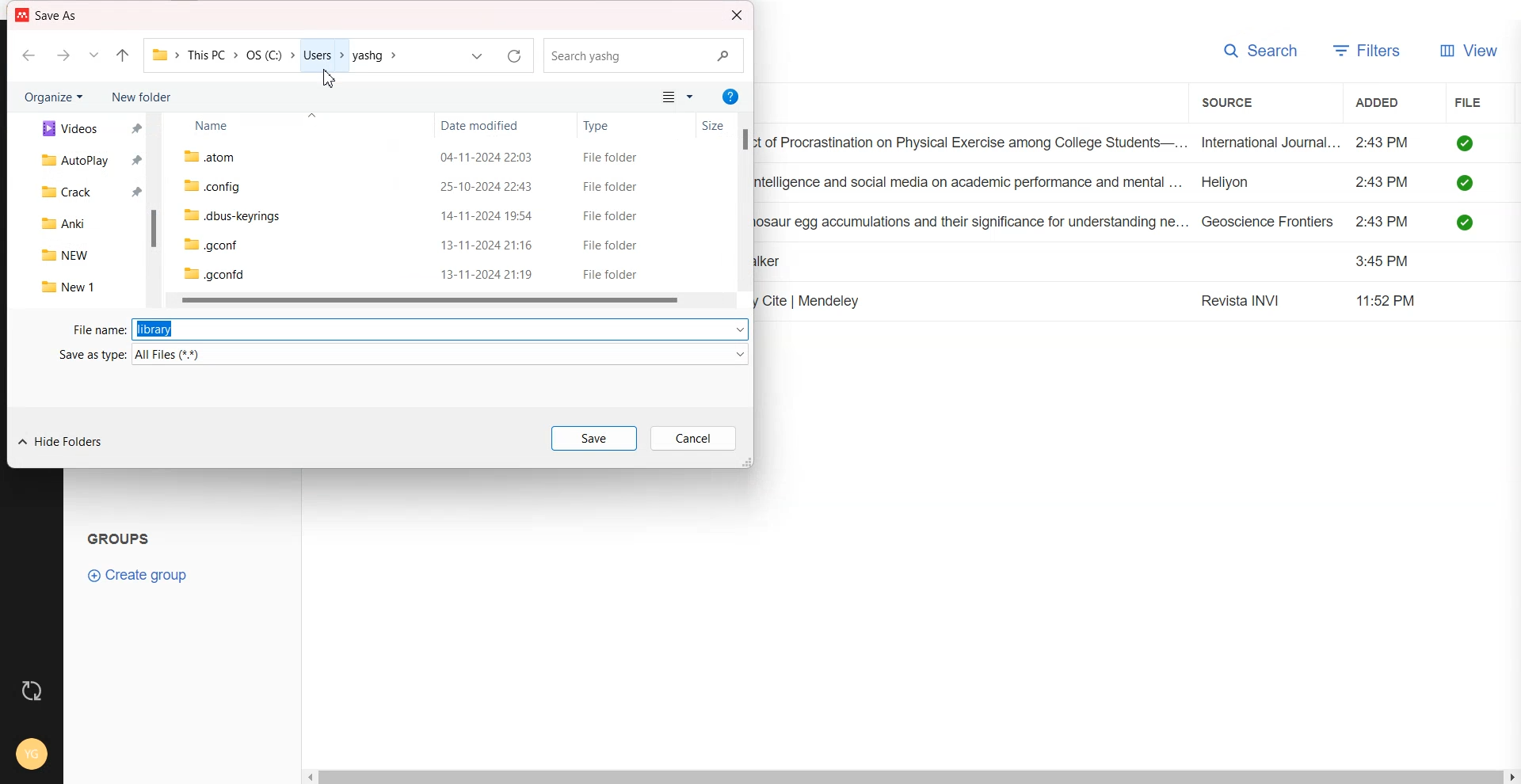  I want to click on International Journal..., so click(1271, 143).